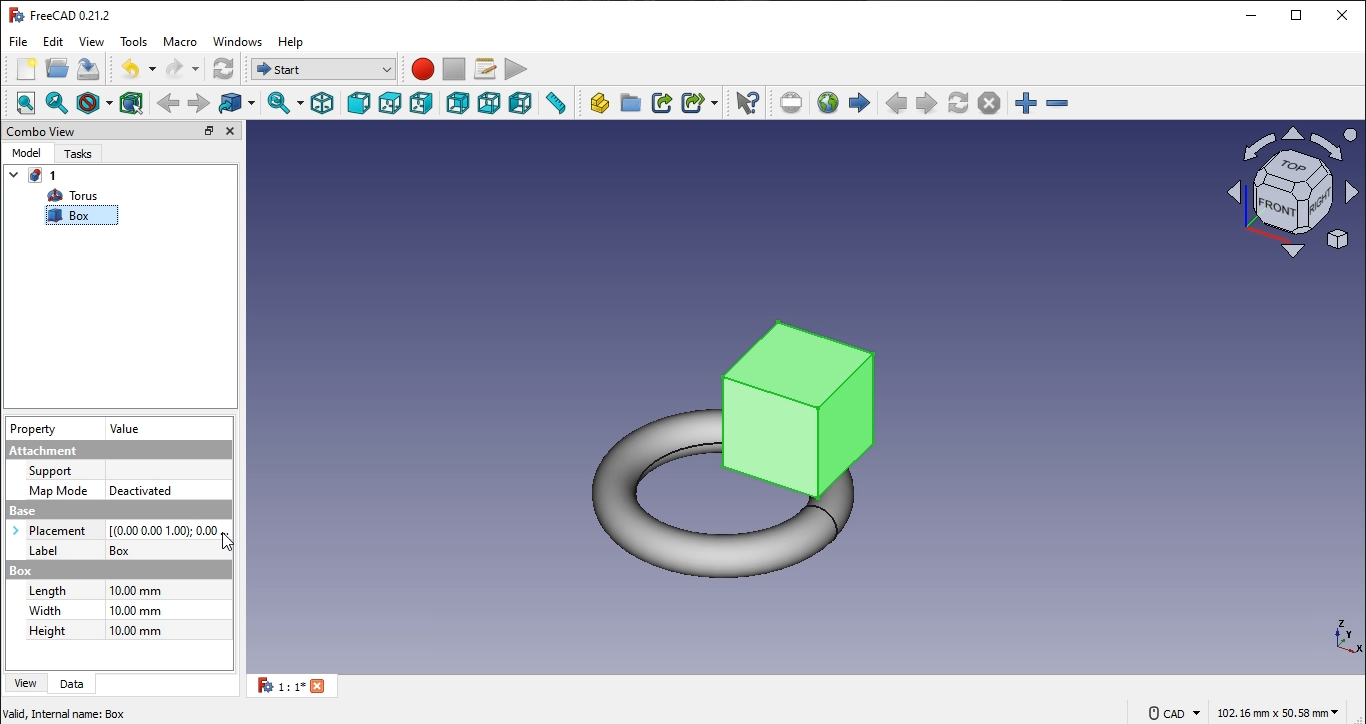 This screenshot has height=724, width=1366. Describe the element at coordinates (26, 154) in the screenshot. I see `model` at that location.